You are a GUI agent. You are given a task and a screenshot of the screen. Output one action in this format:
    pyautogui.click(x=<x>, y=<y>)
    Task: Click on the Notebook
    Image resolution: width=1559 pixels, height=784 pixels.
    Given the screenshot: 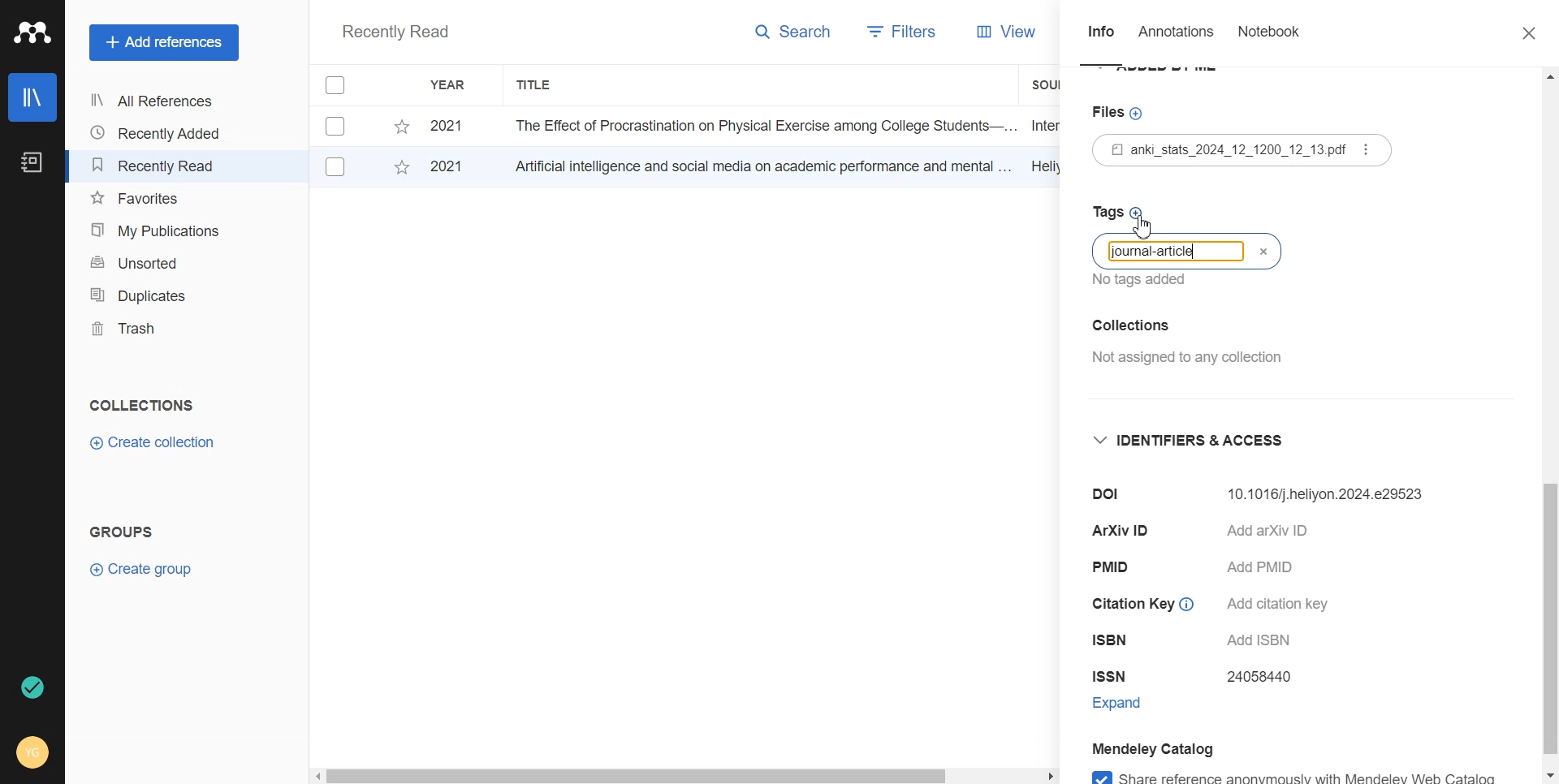 What is the action you would take?
    pyautogui.click(x=30, y=163)
    